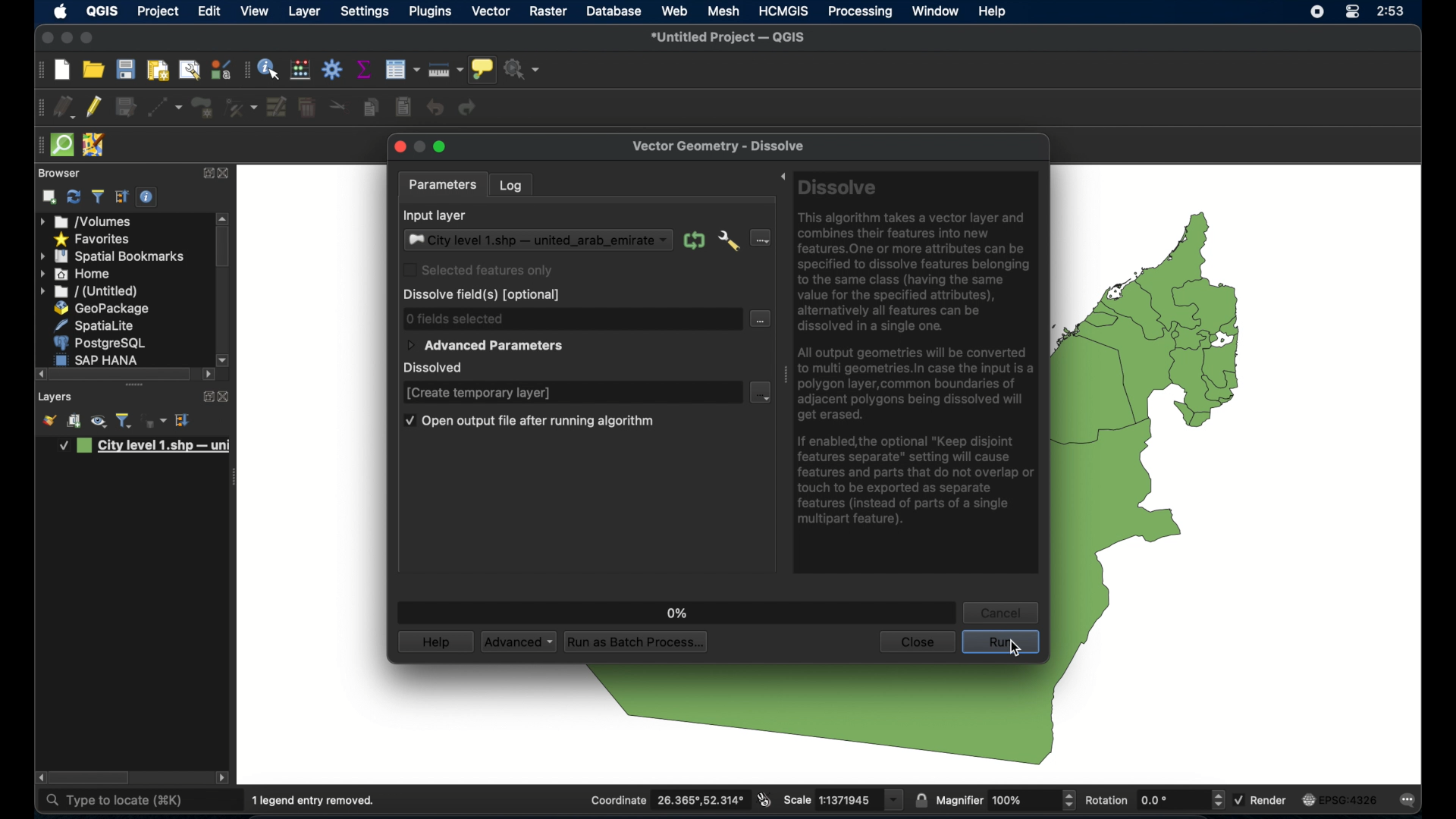 This screenshot has width=1456, height=819. What do you see at coordinates (122, 197) in the screenshot?
I see `expand all` at bounding box center [122, 197].